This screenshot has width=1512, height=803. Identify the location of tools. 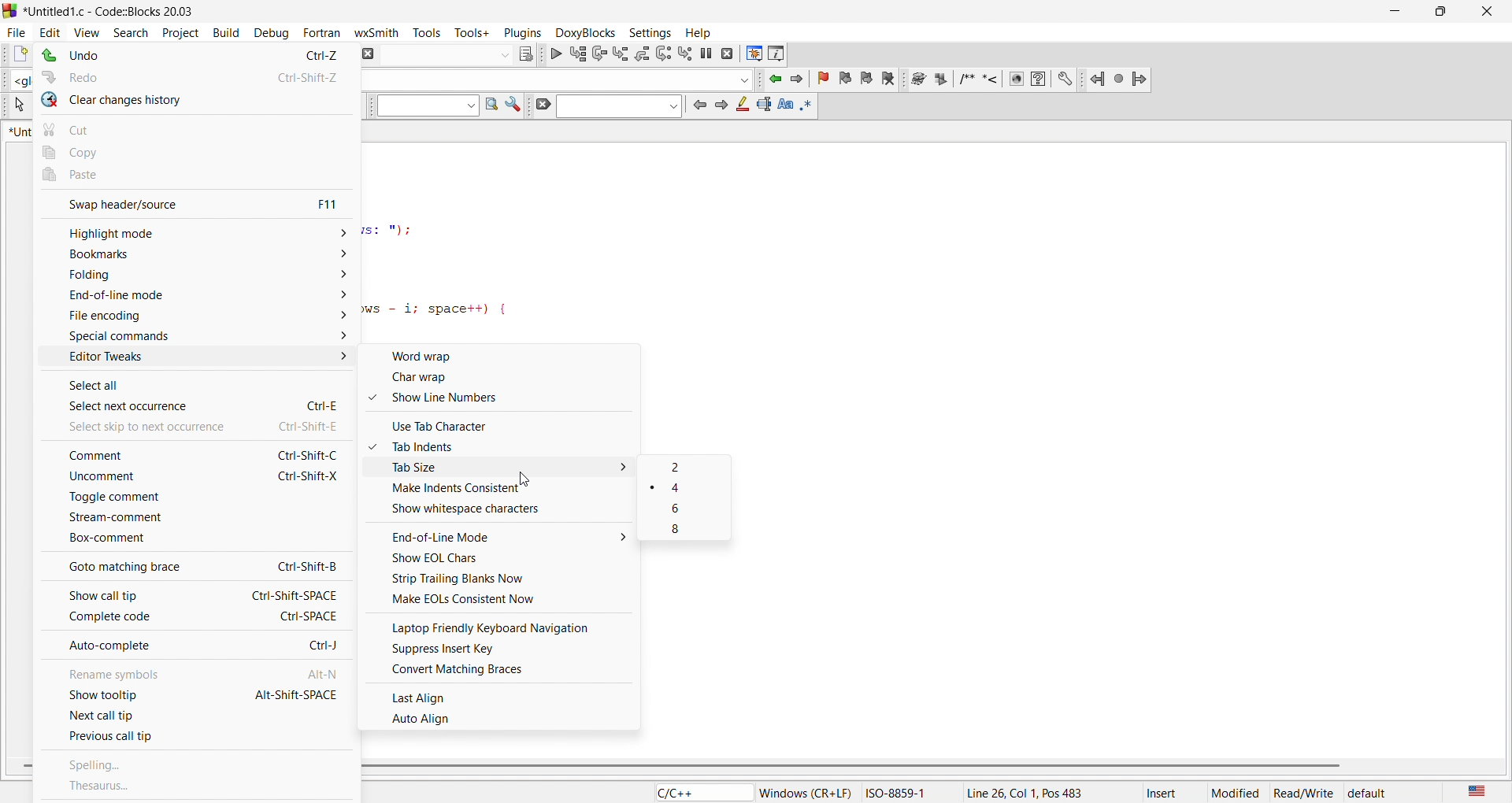
(427, 31).